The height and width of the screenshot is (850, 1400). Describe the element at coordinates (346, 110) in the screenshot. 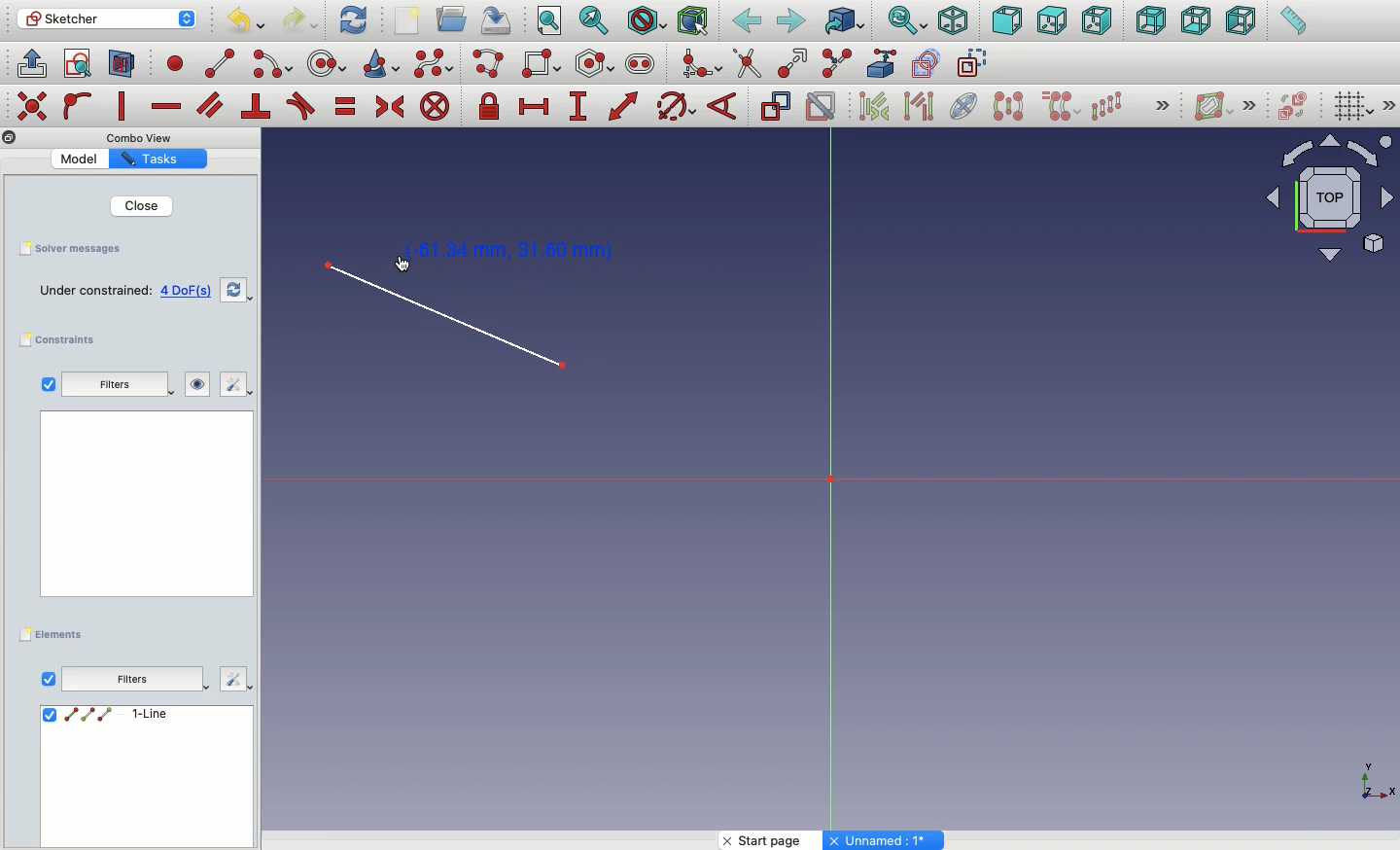

I see `Constrain equal` at that location.